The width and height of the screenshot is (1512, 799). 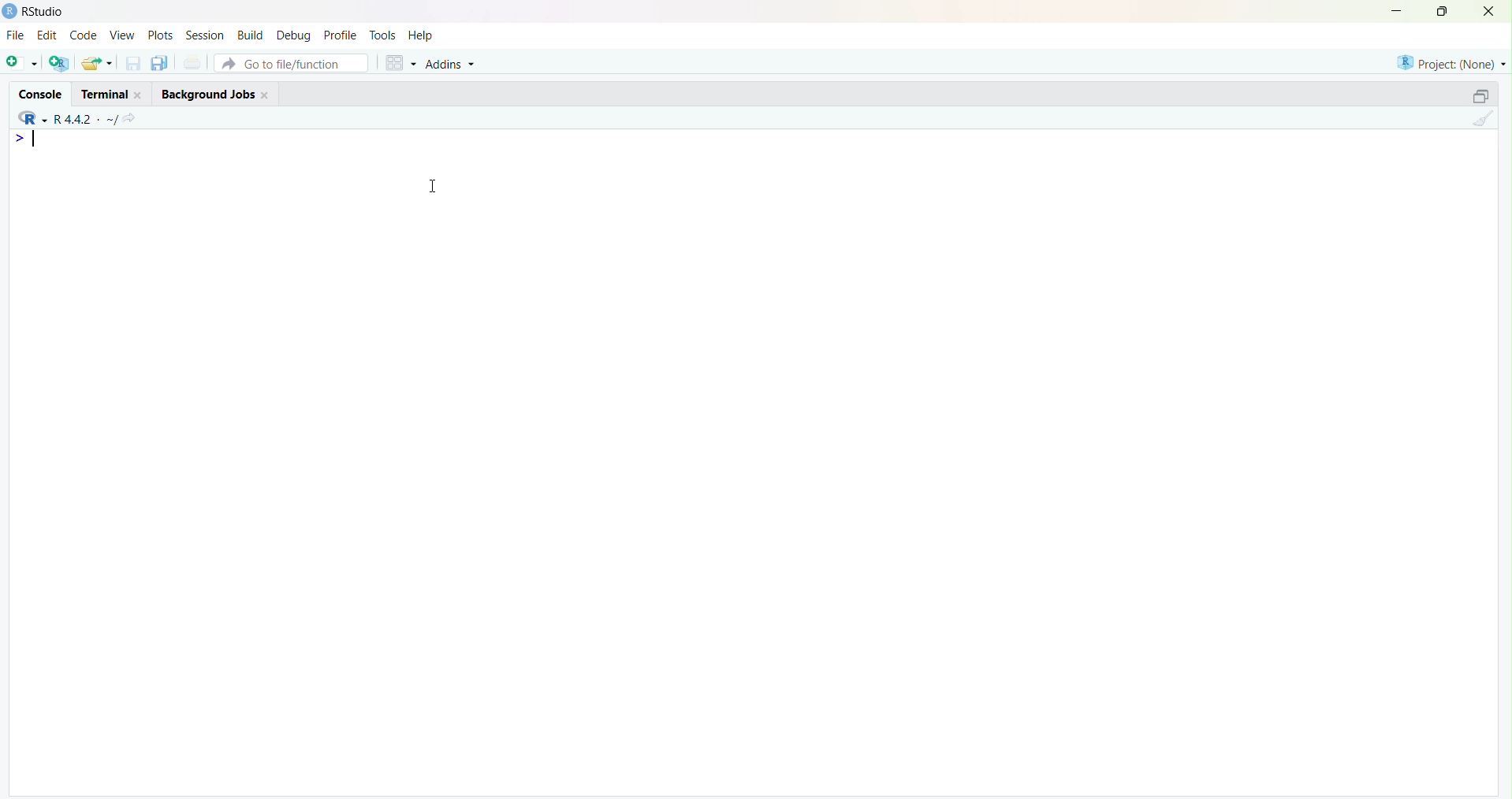 What do you see at coordinates (60, 61) in the screenshot?
I see `Create a project` at bounding box center [60, 61].